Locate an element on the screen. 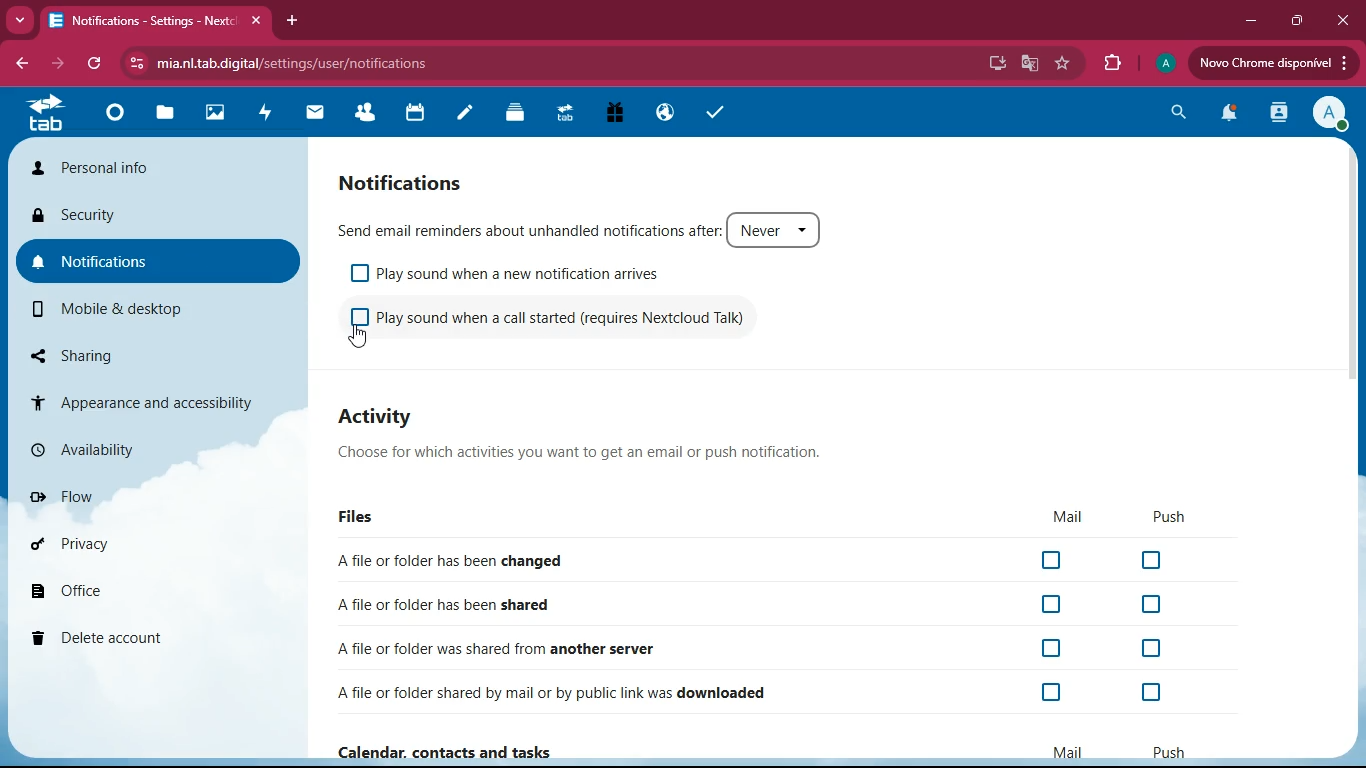 The width and height of the screenshot is (1366, 768). tab is located at coordinates (155, 23).